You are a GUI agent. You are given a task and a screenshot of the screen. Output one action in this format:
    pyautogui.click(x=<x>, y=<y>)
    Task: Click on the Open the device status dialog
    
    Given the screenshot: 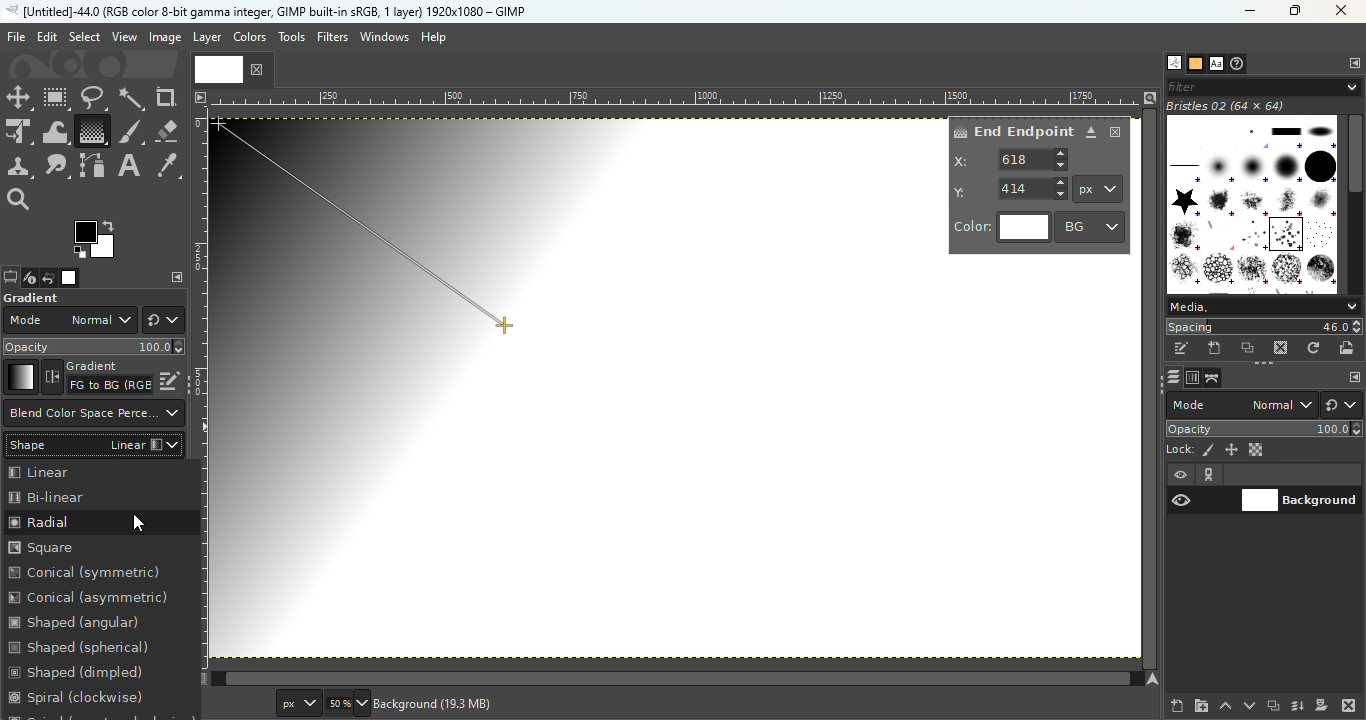 What is the action you would take?
    pyautogui.click(x=28, y=279)
    